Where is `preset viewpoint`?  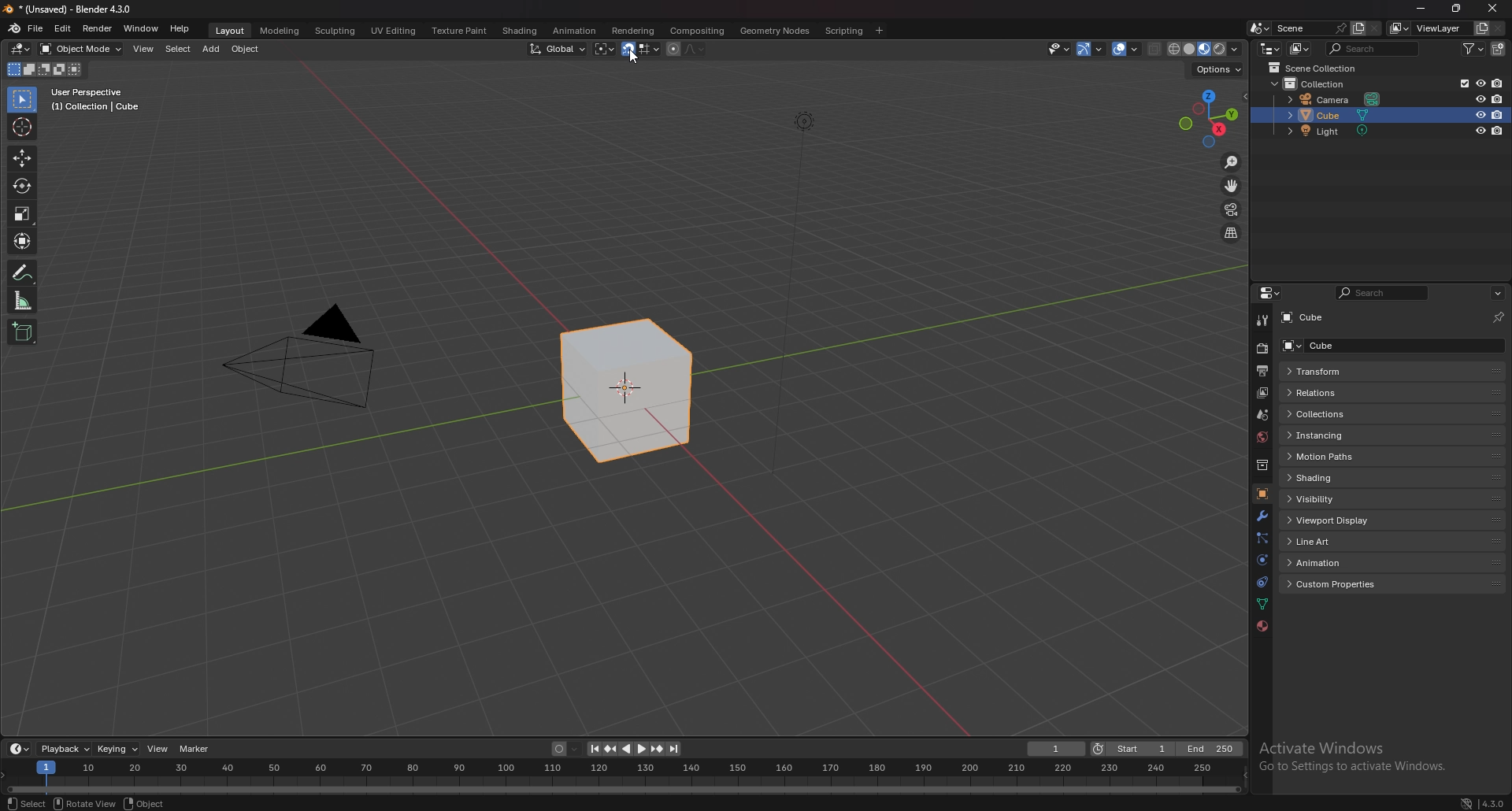
preset viewpoint is located at coordinates (1209, 119).